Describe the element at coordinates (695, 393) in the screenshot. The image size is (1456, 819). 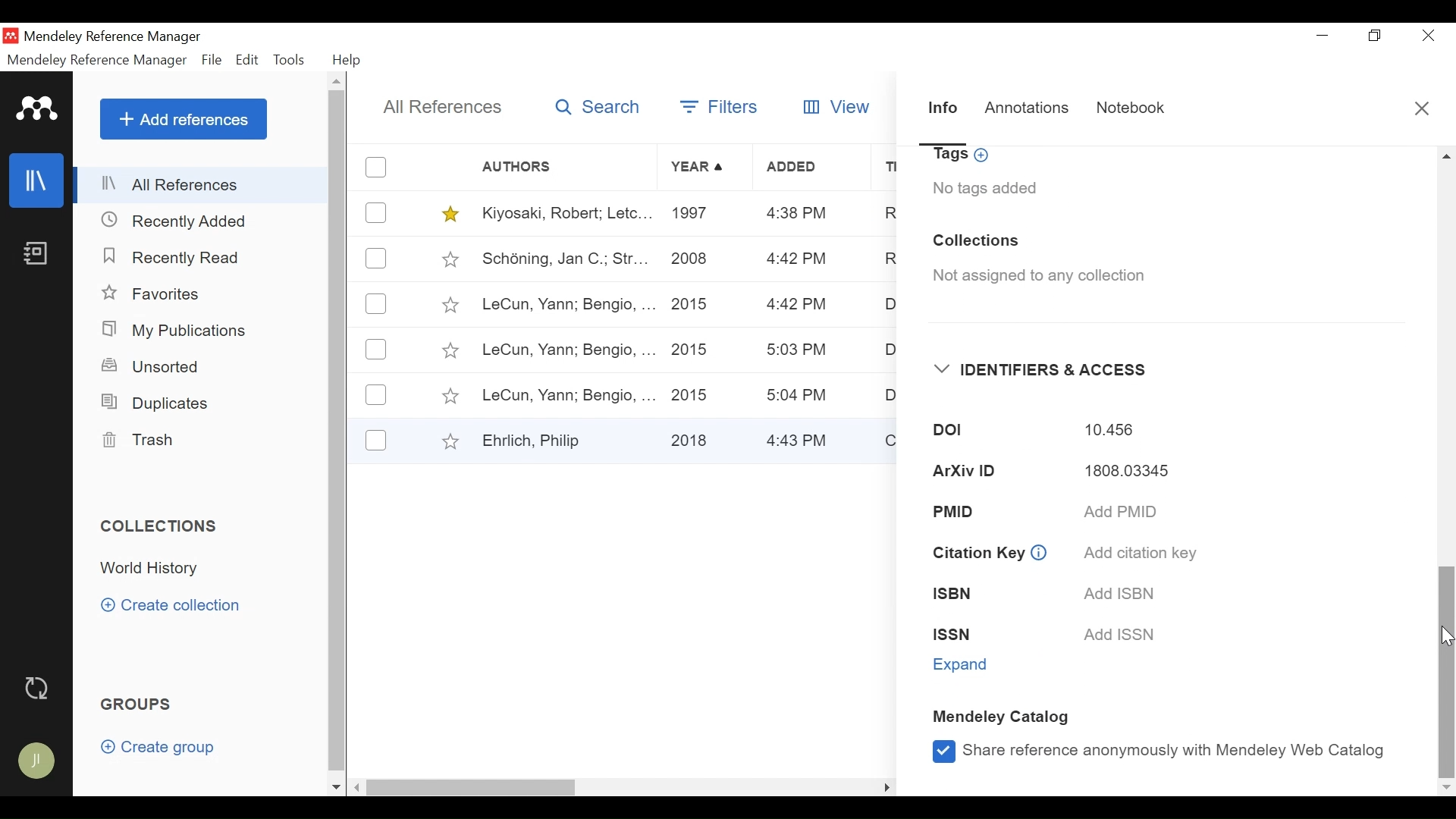
I see `2015` at that location.